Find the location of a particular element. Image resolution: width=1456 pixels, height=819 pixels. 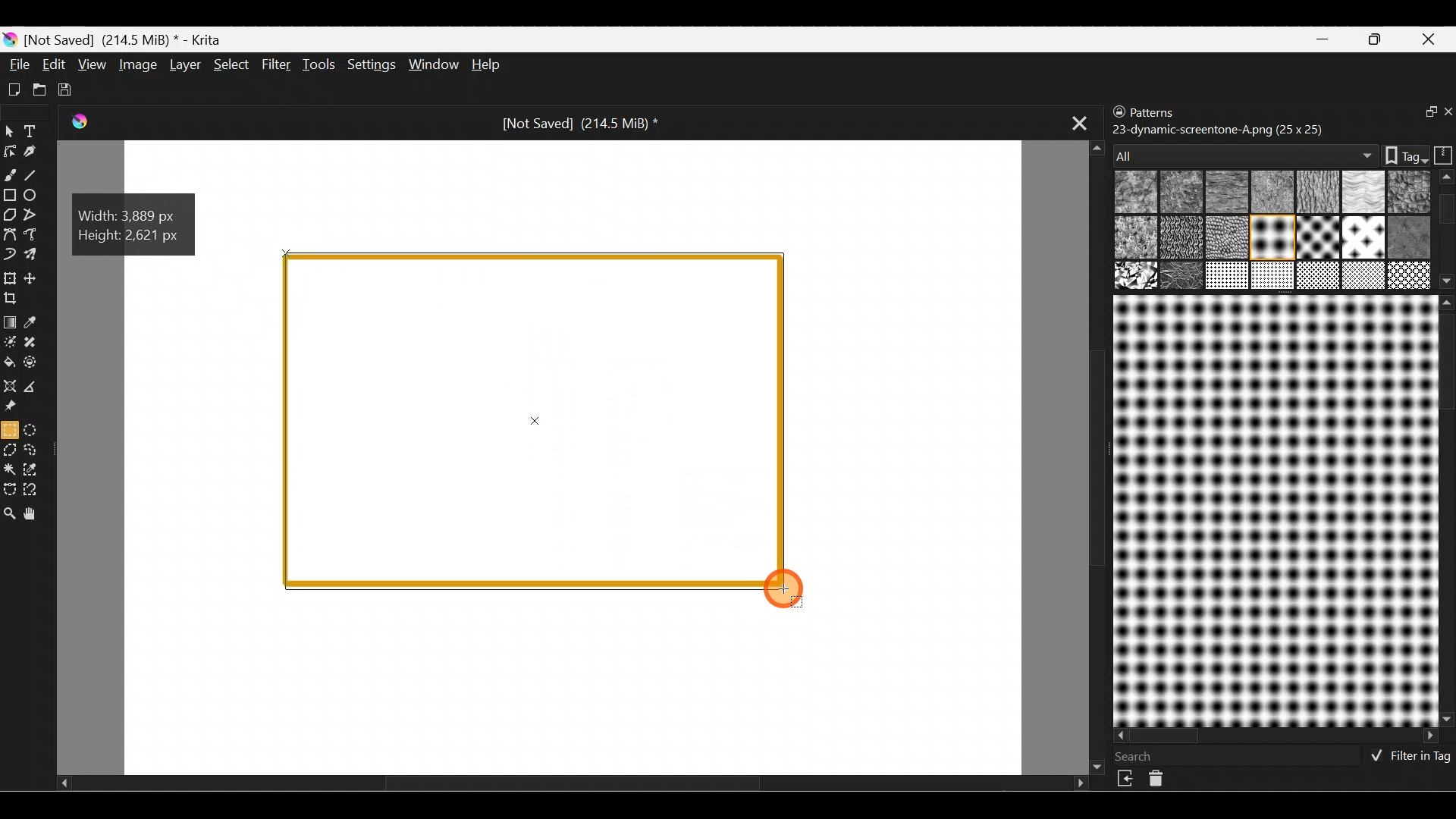

Select shapes is located at coordinates (9, 132).